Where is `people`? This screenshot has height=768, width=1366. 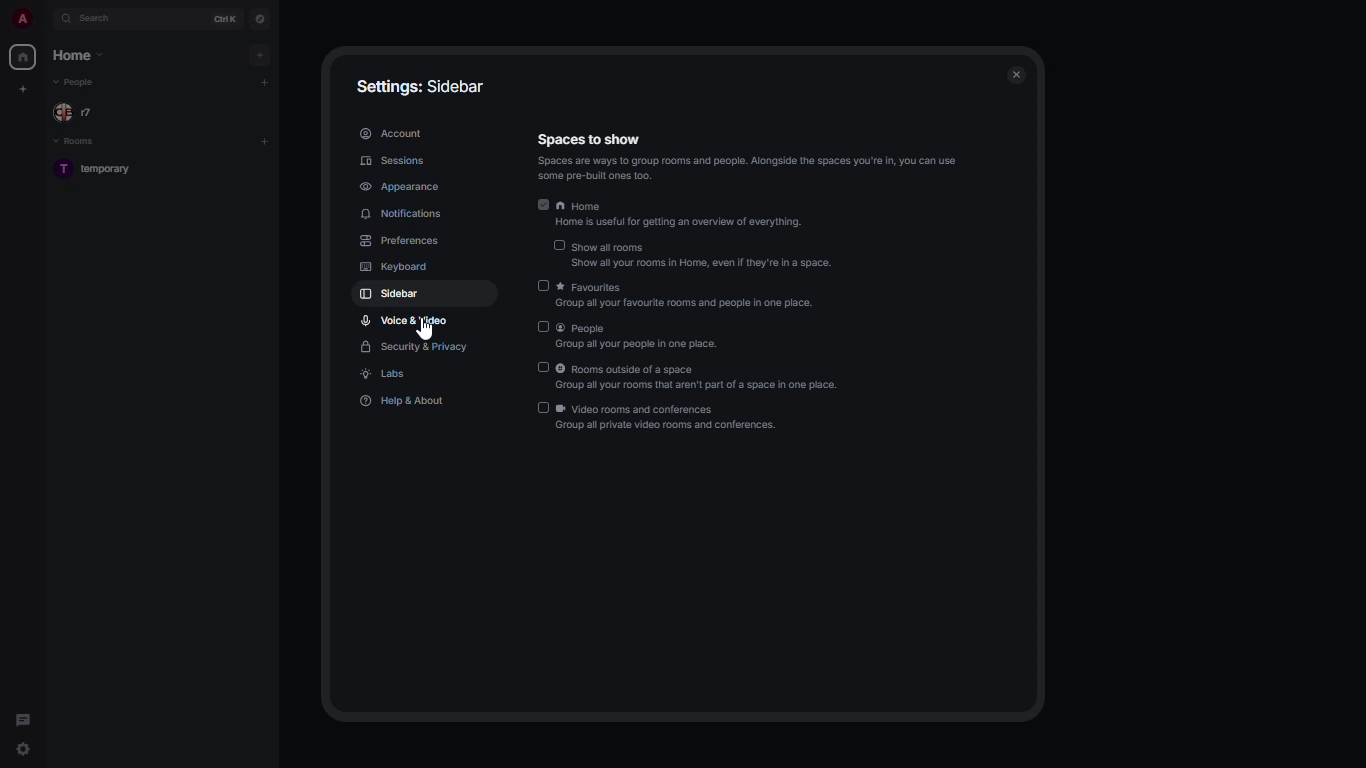
people is located at coordinates (626, 328).